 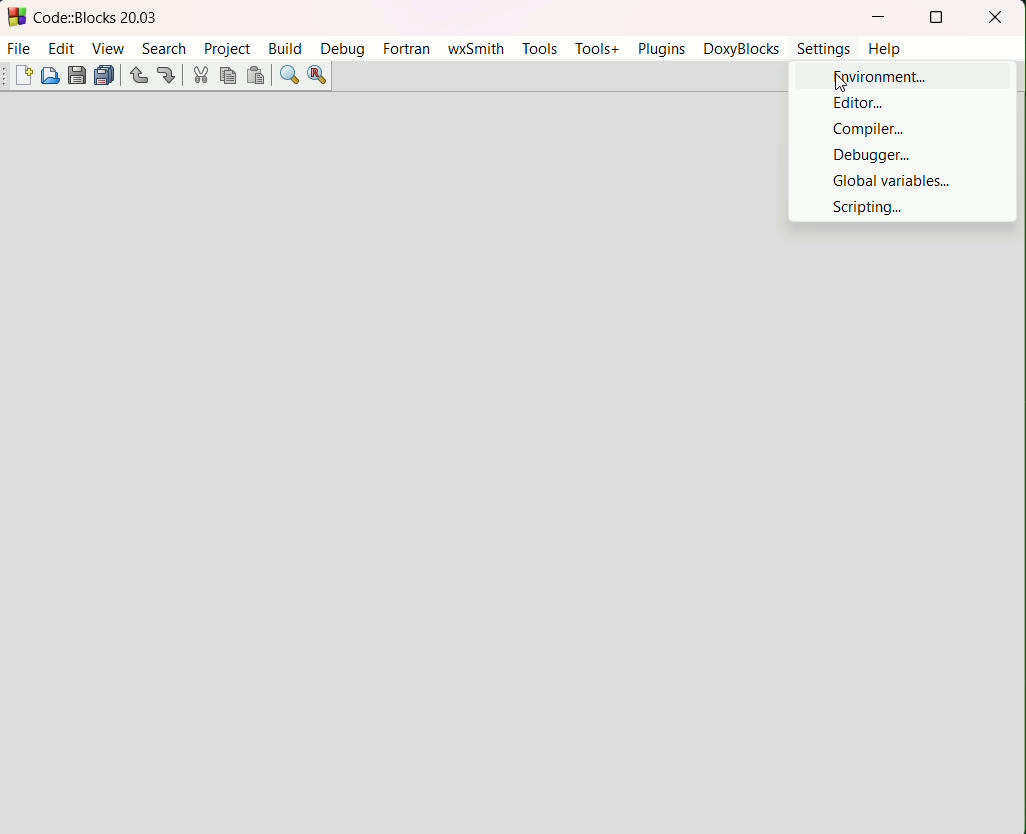 What do you see at coordinates (60, 47) in the screenshot?
I see `edit` at bounding box center [60, 47].